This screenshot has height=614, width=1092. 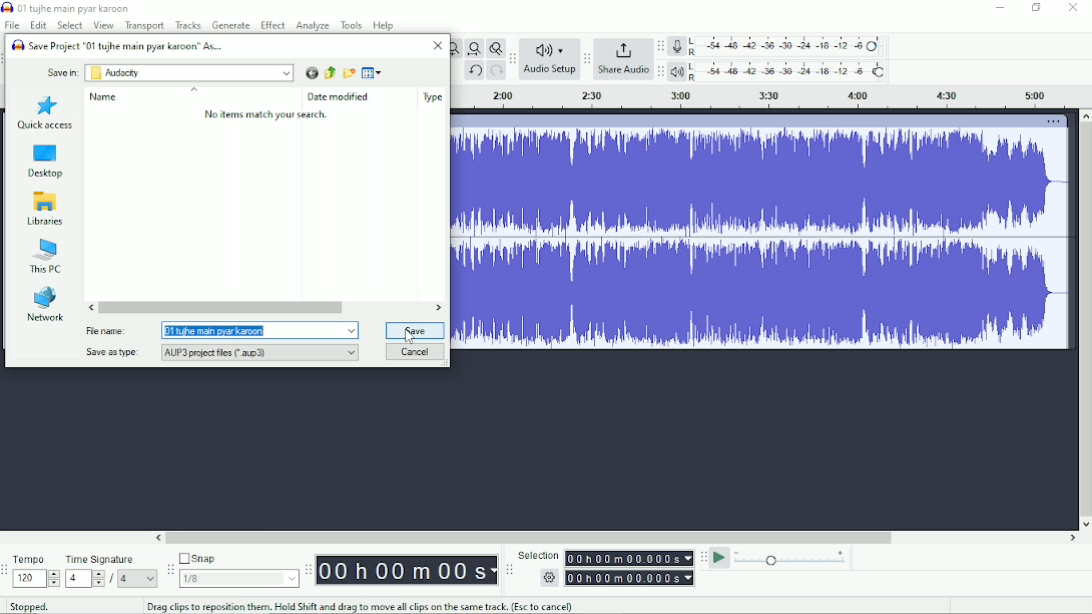 I want to click on Audacity share audio toolbar, so click(x=587, y=60).